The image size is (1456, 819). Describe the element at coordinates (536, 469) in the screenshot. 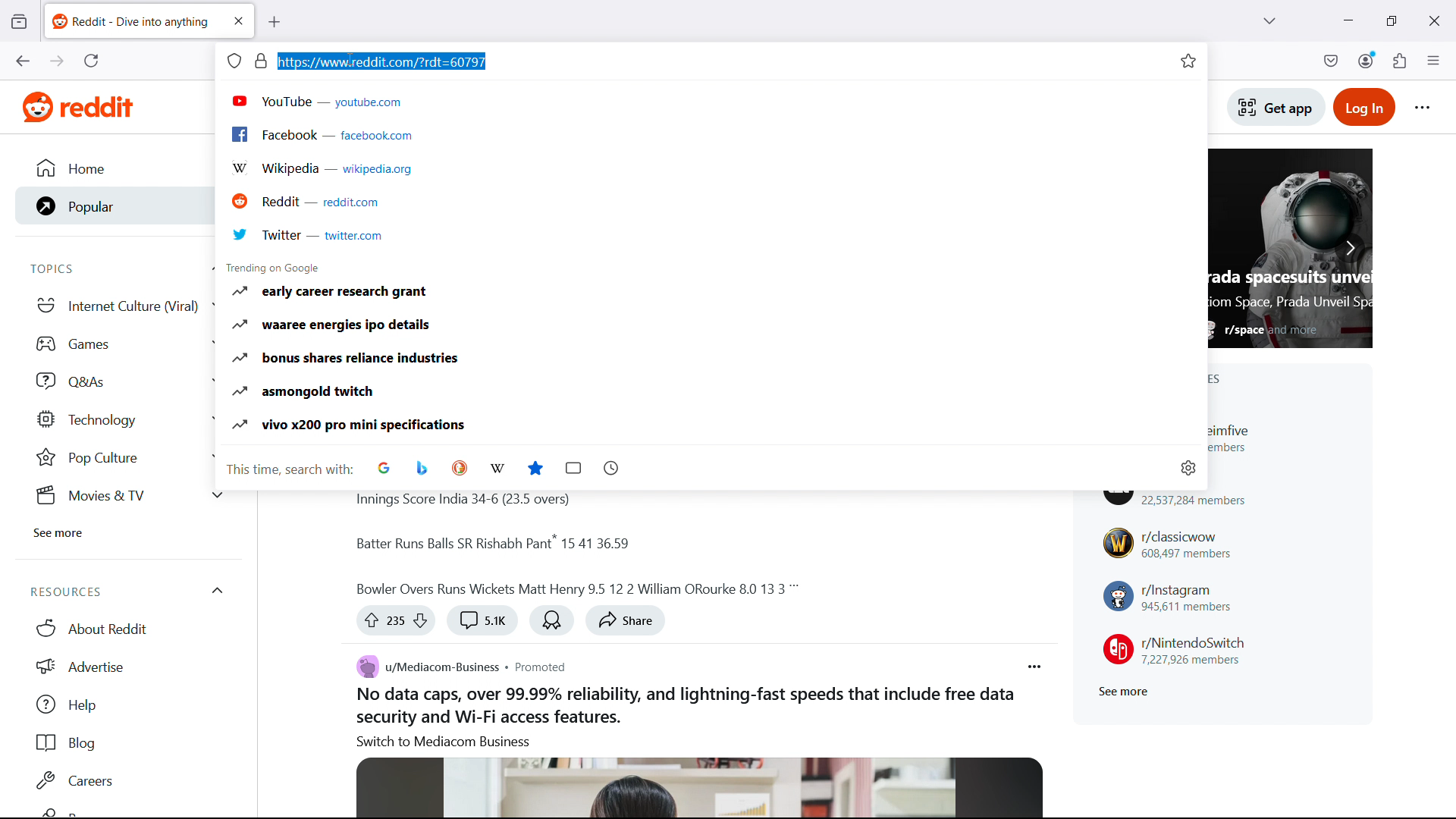

I see `bookmarks` at that location.